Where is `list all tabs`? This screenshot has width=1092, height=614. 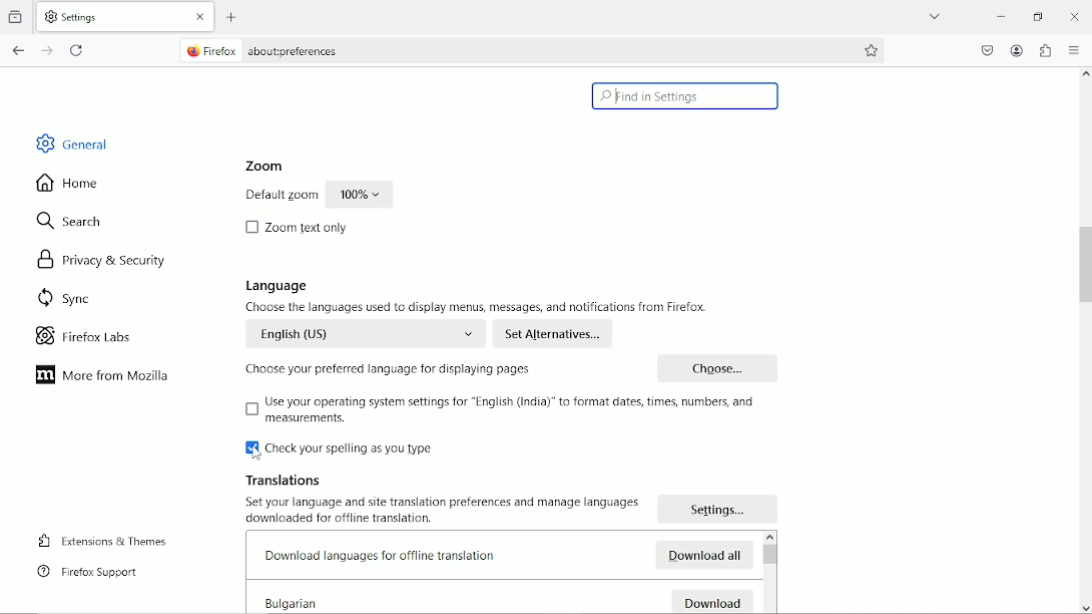
list all tabs is located at coordinates (934, 16).